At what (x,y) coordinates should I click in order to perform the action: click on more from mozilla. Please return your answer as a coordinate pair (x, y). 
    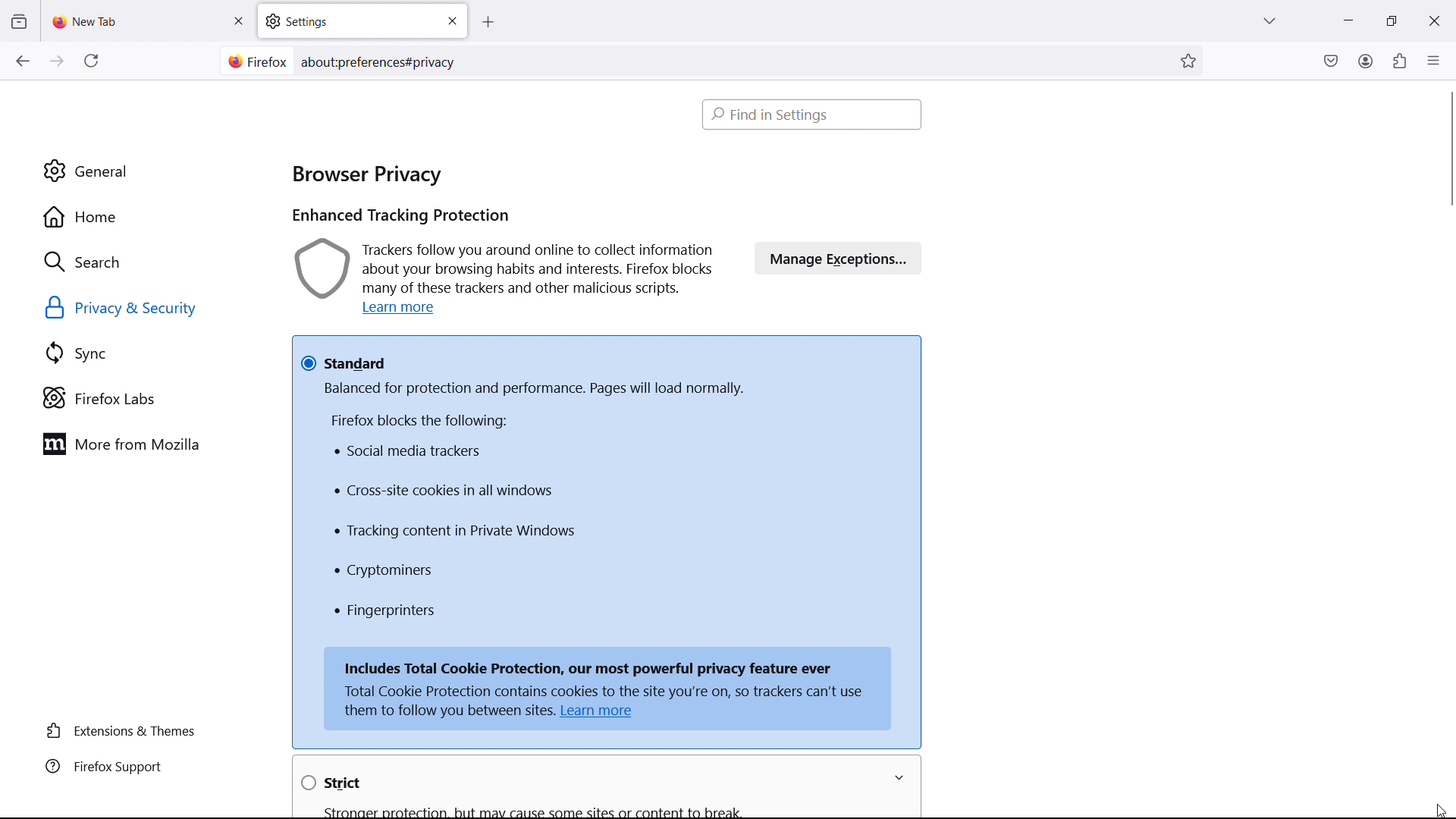
    Looking at the image, I should click on (145, 444).